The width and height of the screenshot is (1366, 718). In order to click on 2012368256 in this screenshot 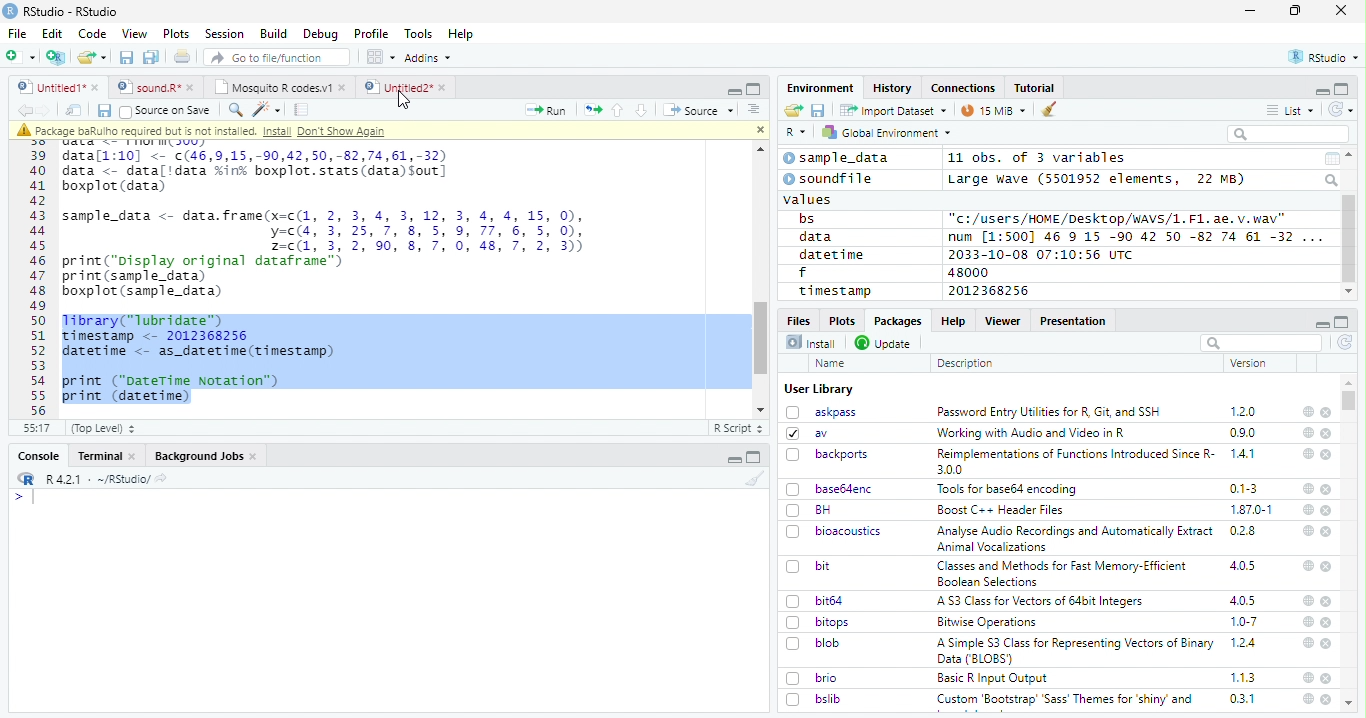, I will do `click(992, 291)`.